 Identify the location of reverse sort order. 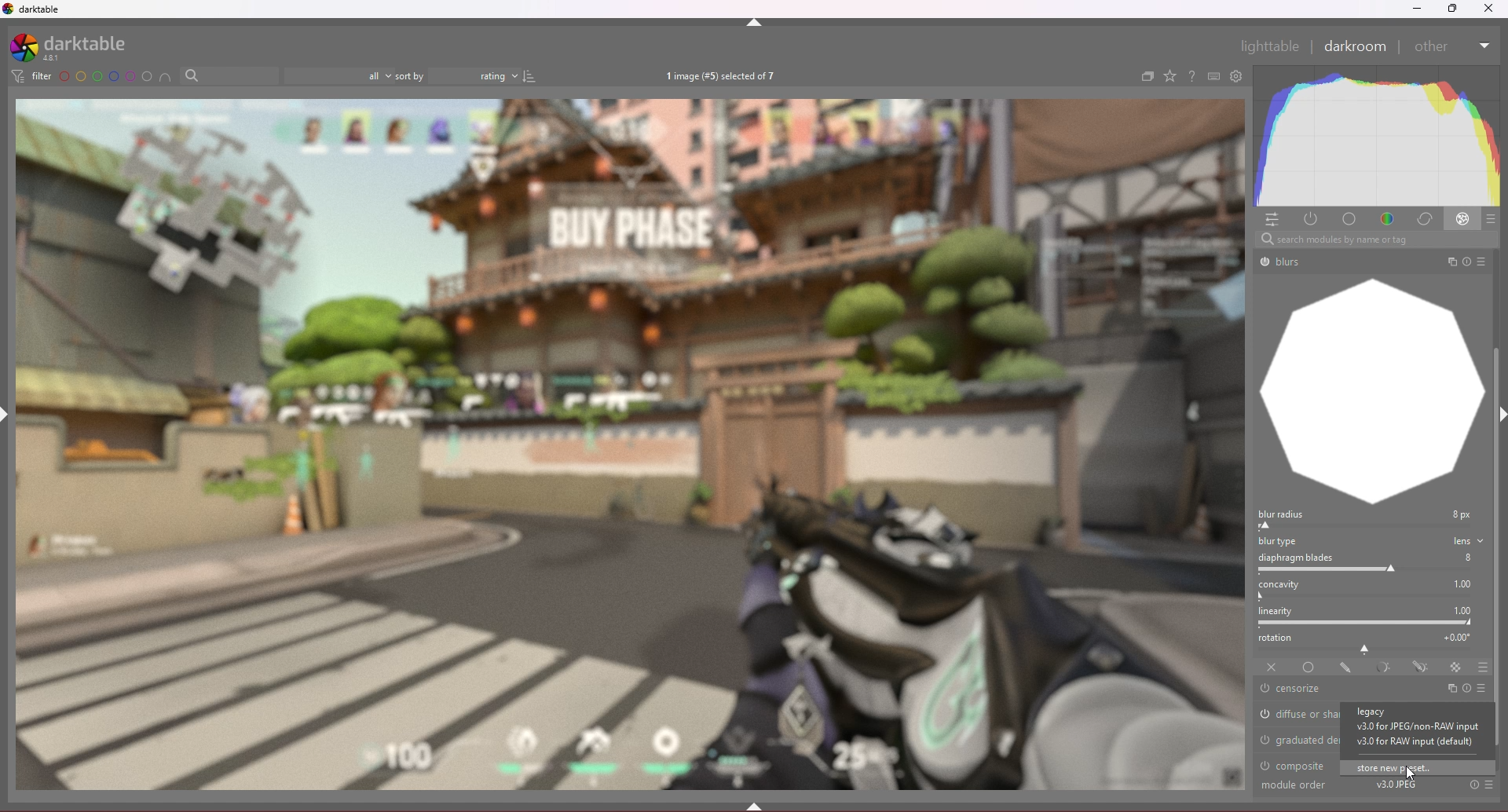
(530, 75).